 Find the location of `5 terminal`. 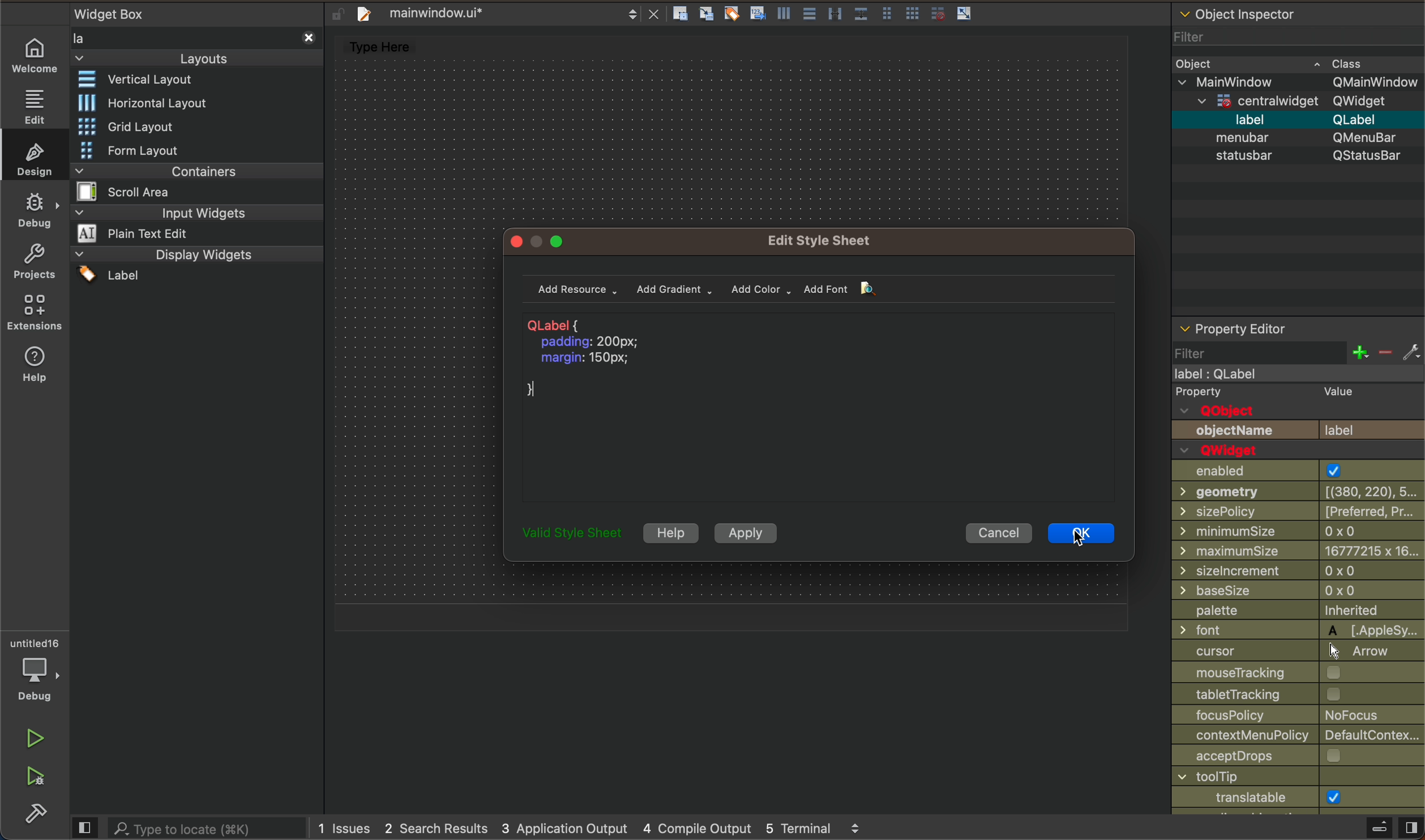

5 terminal is located at coordinates (818, 828).